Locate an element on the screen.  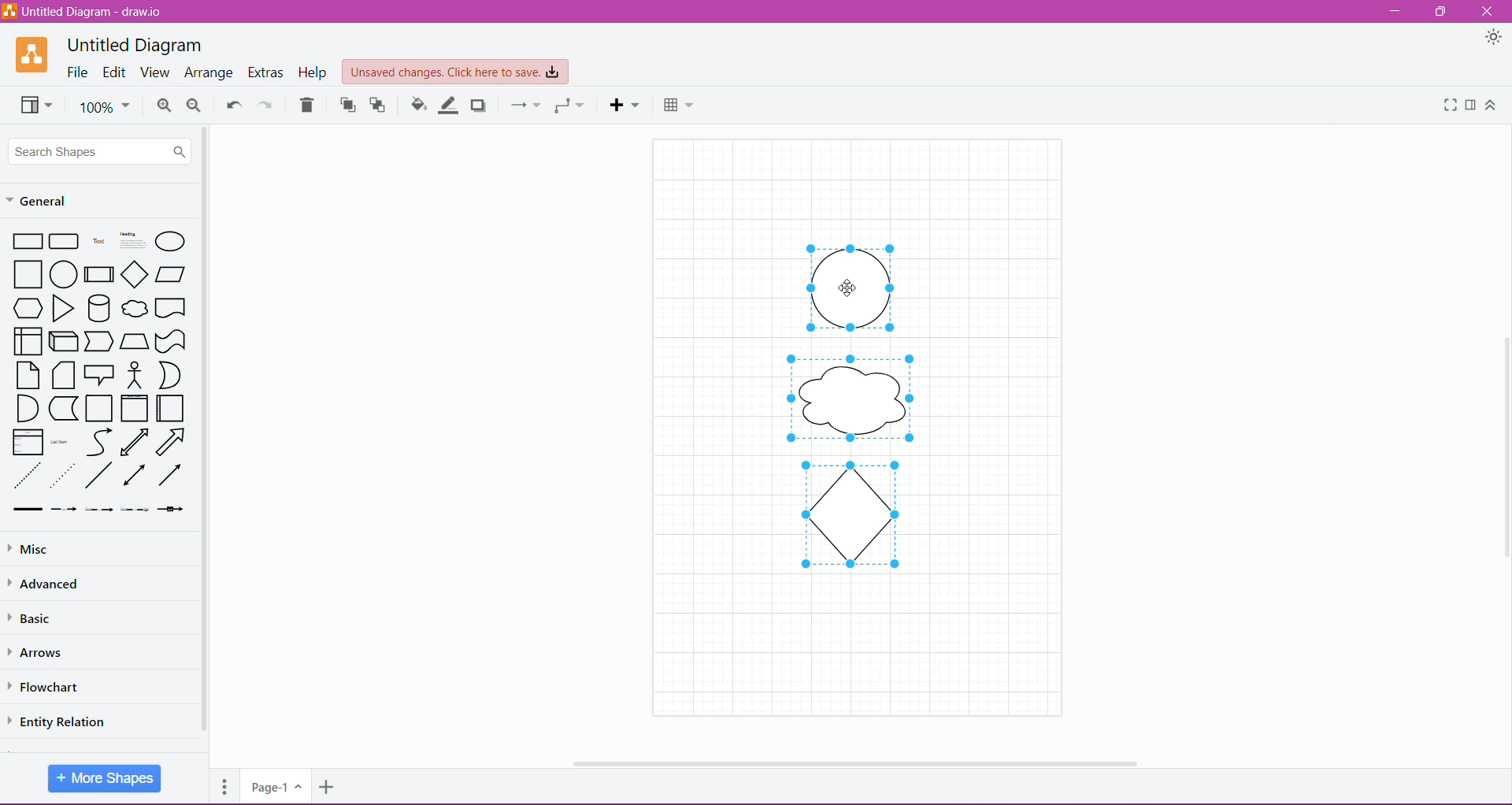
View is located at coordinates (33, 104).